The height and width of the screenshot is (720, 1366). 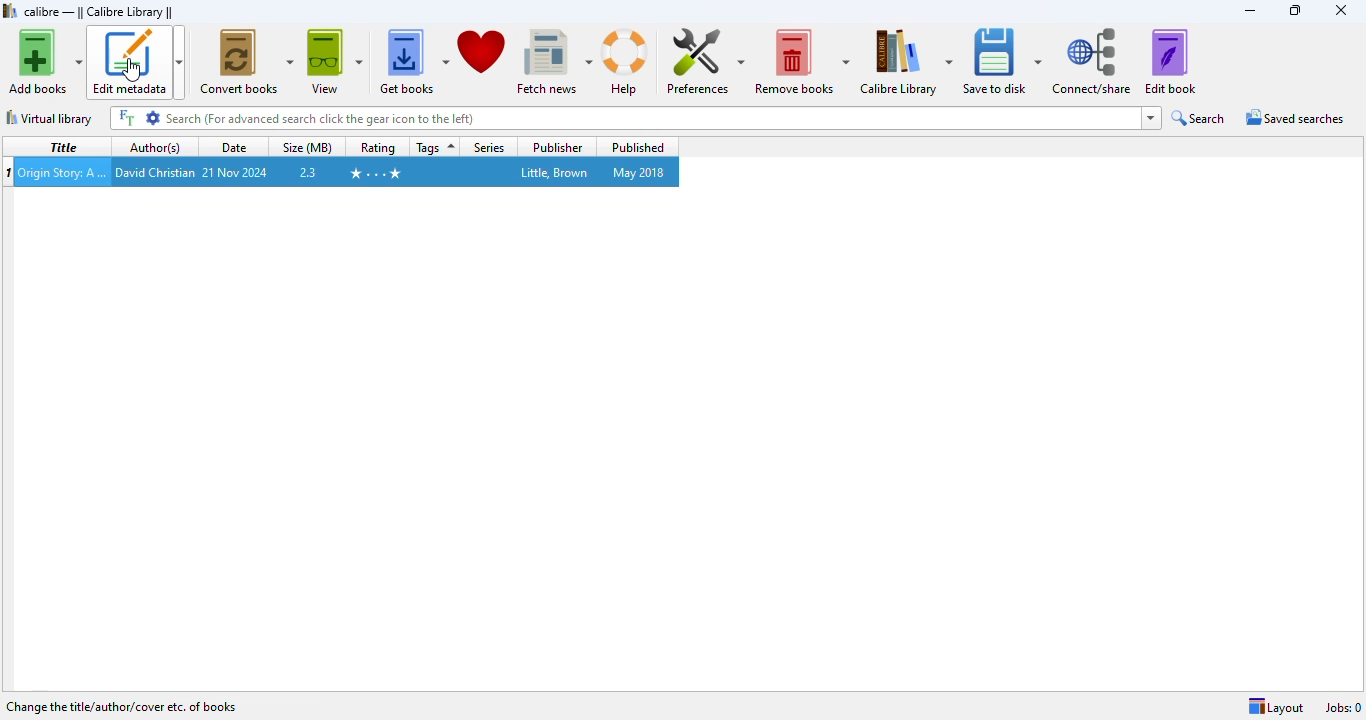 What do you see at coordinates (638, 147) in the screenshot?
I see `published` at bounding box center [638, 147].